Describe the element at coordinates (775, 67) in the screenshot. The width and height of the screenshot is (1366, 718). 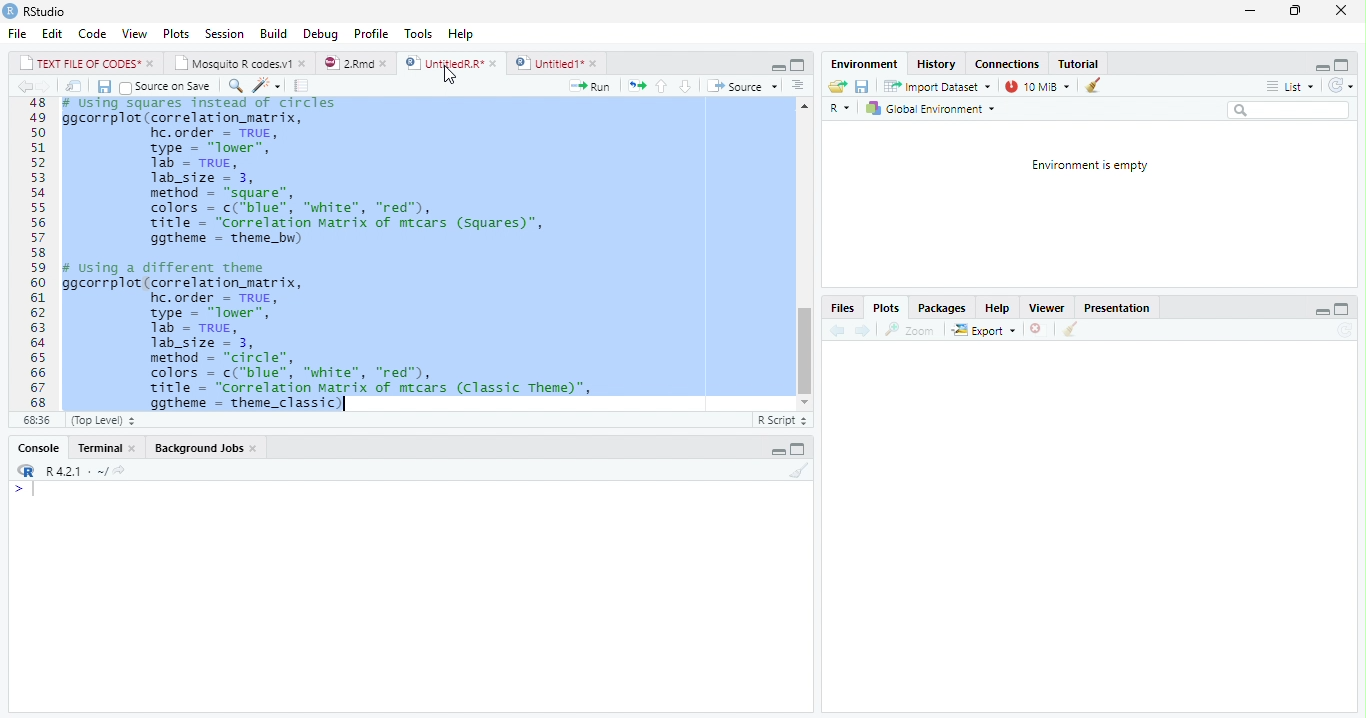
I see `hide r script` at that location.